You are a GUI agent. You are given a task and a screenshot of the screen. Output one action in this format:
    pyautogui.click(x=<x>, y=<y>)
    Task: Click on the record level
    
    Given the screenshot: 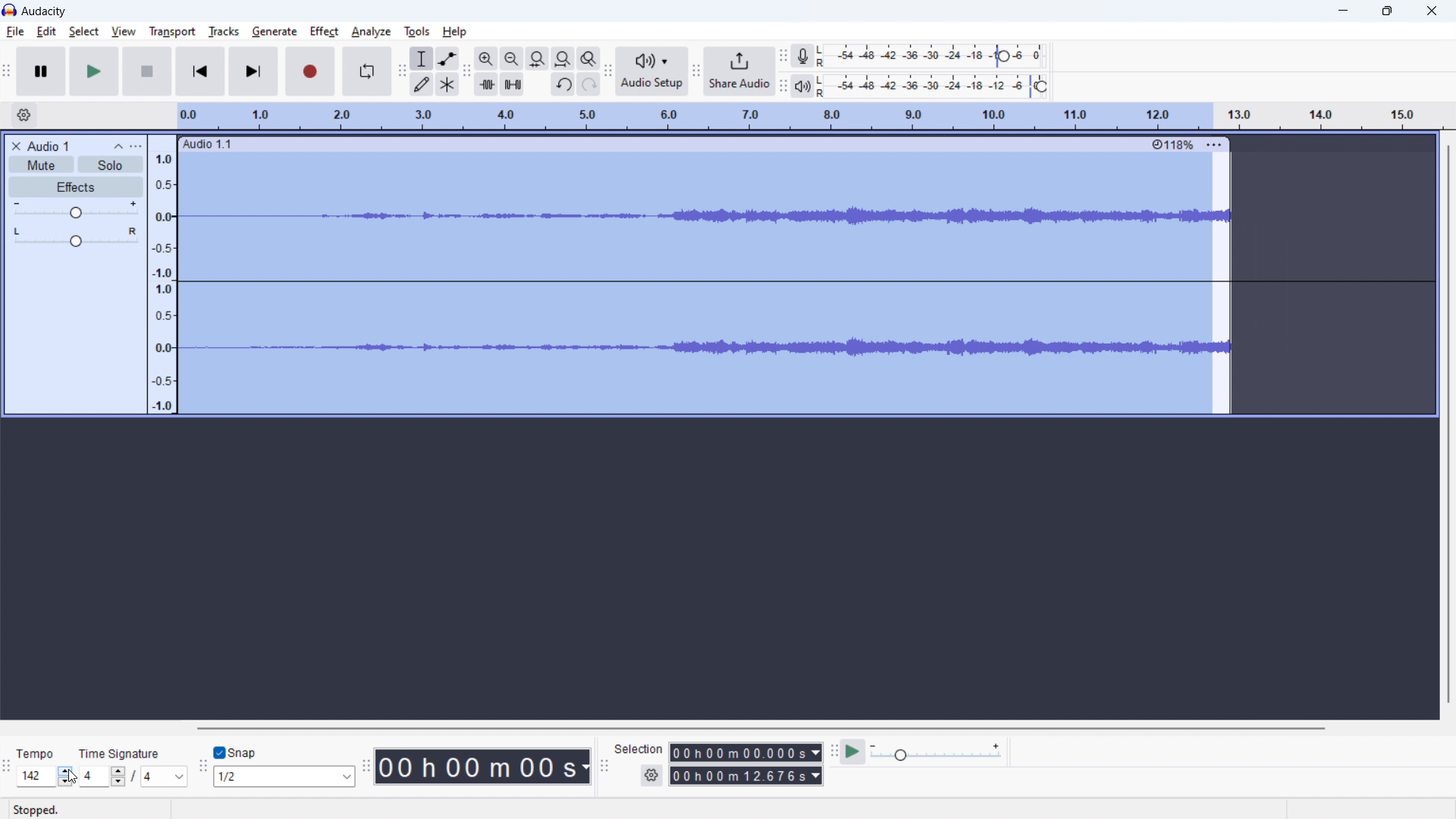 What is the action you would take?
    pyautogui.click(x=939, y=55)
    